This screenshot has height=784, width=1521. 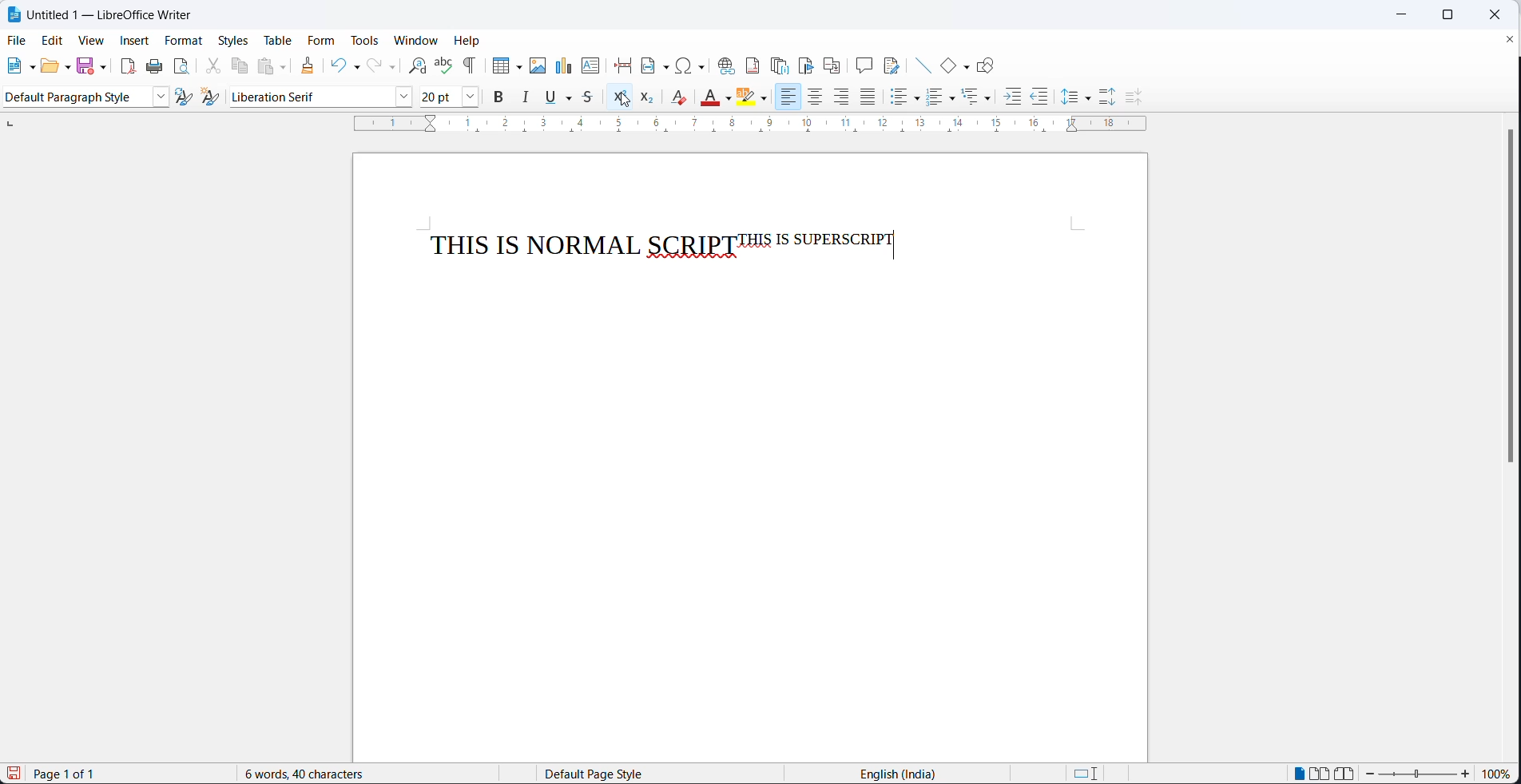 What do you see at coordinates (1088, 774) in the screenshot?
I see `standard selection` at bounding box center [1088, 774].